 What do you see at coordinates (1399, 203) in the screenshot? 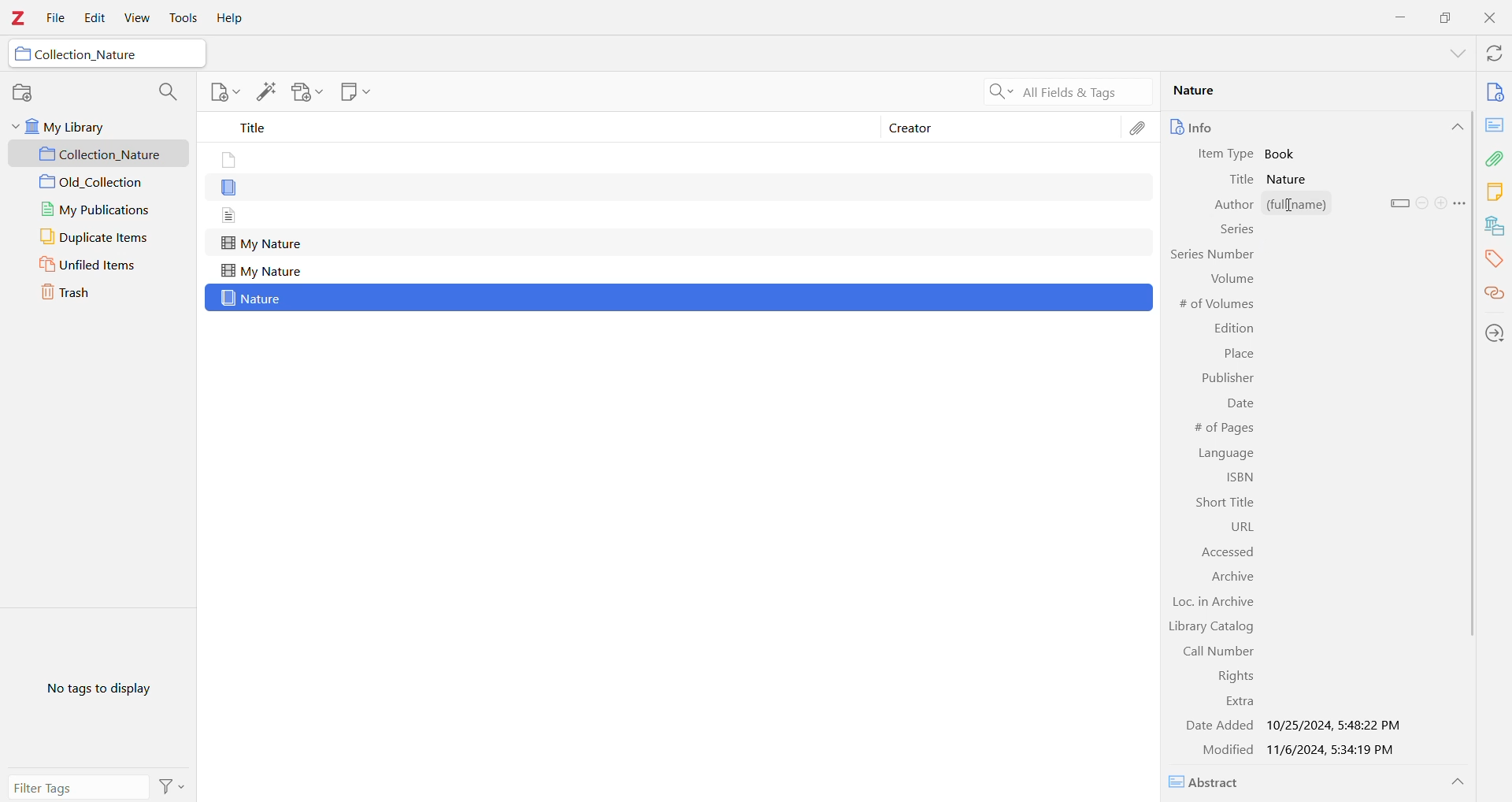
I see `Switch to Two Field/Single Field` at bounding box center [1399, 203].